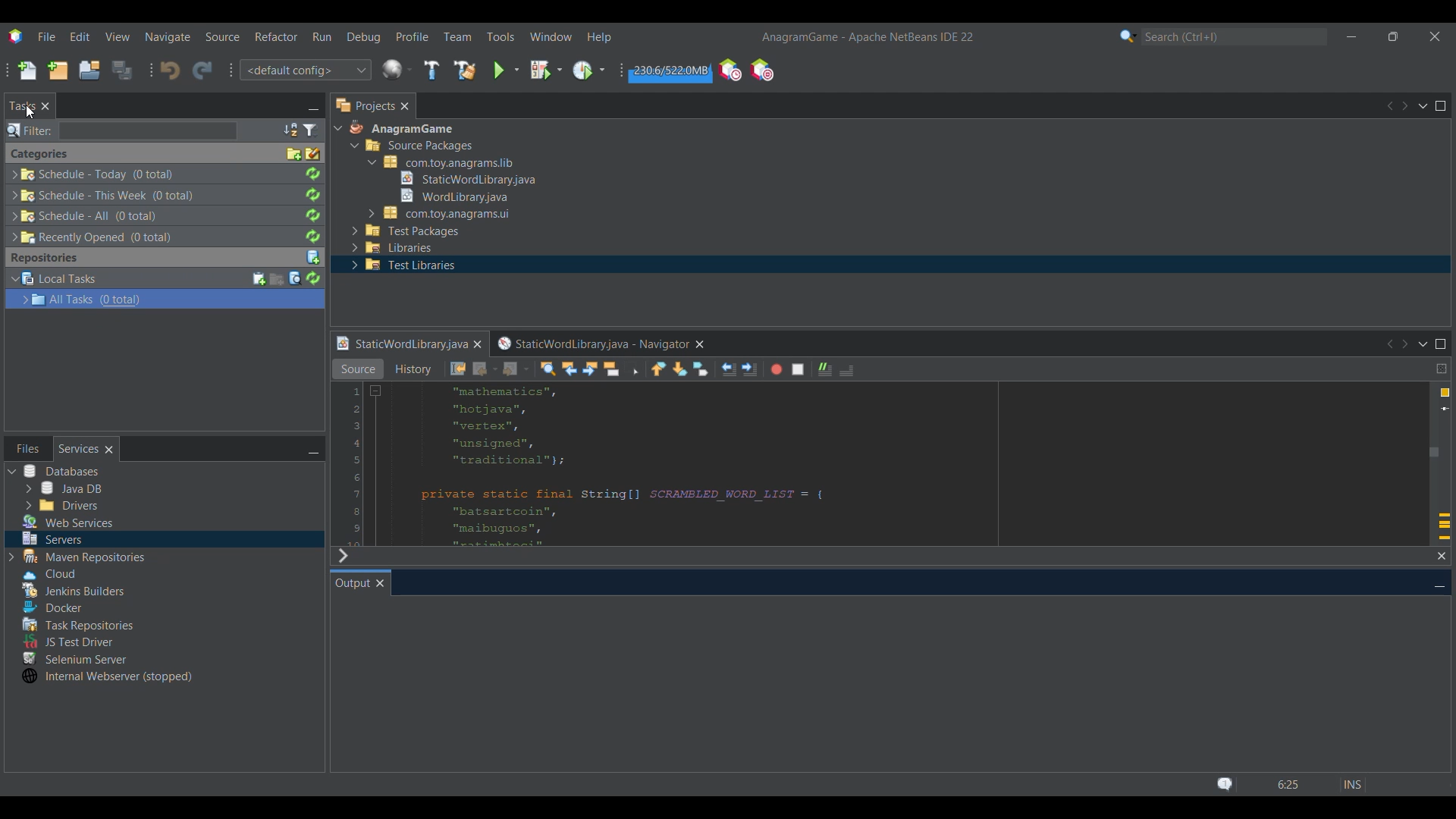 This screenshot has width=1456, height=819. Describe the element at coordinates (414, 369) in the screenshot. I see `History view` at that location.